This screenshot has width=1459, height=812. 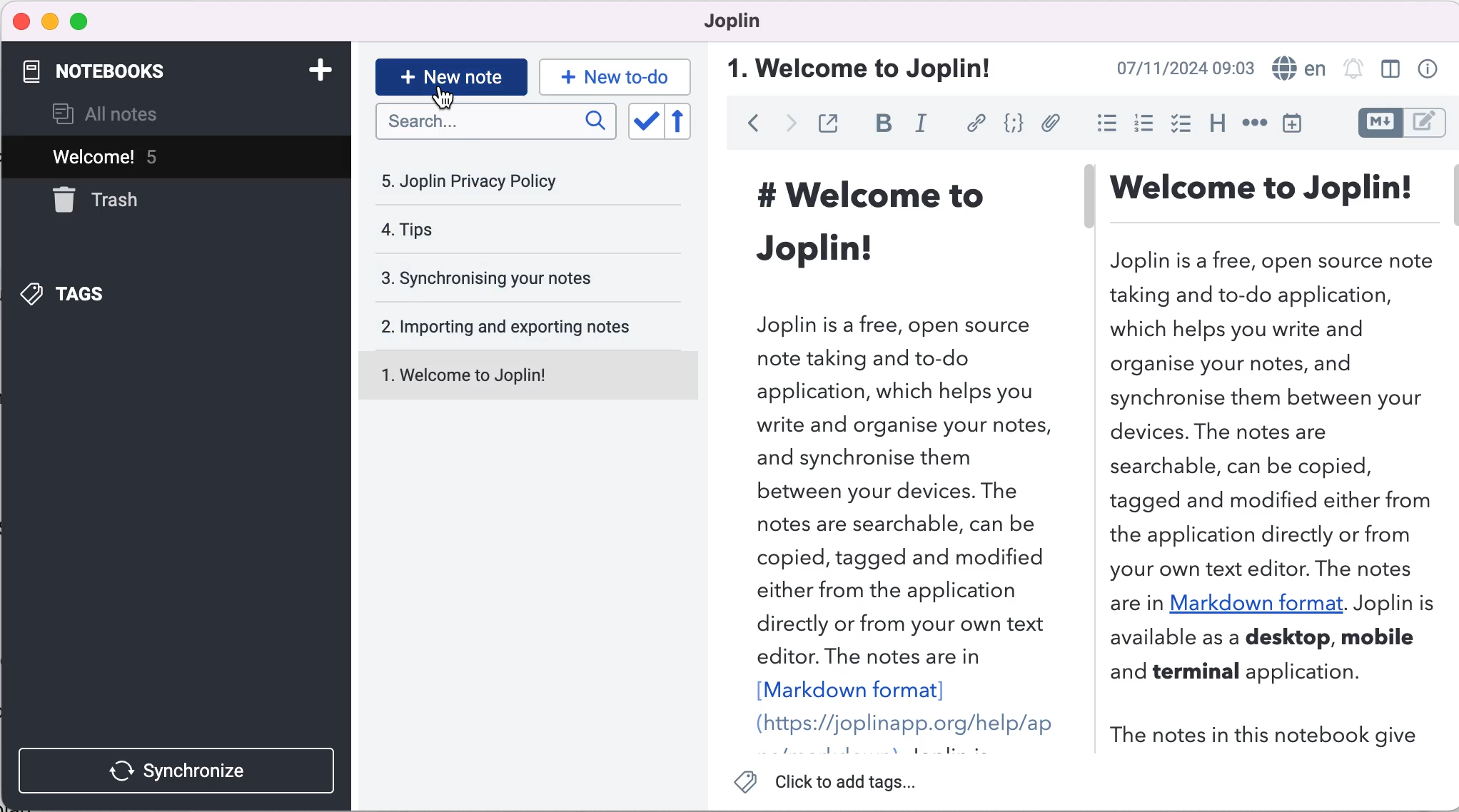 I want to click on attach file, so click(x=1051, y=123).